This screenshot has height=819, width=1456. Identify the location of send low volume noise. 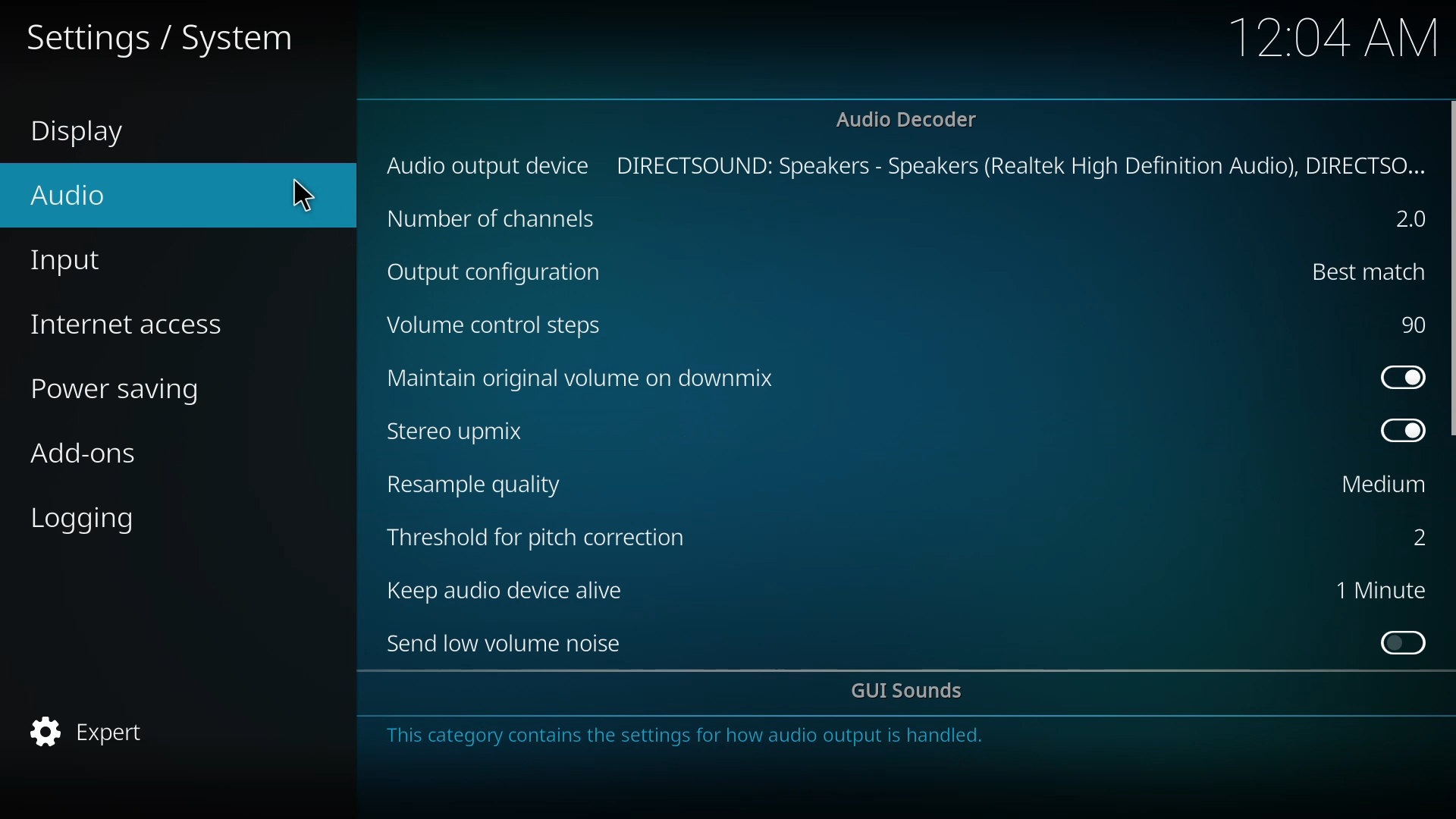
(505, 643).